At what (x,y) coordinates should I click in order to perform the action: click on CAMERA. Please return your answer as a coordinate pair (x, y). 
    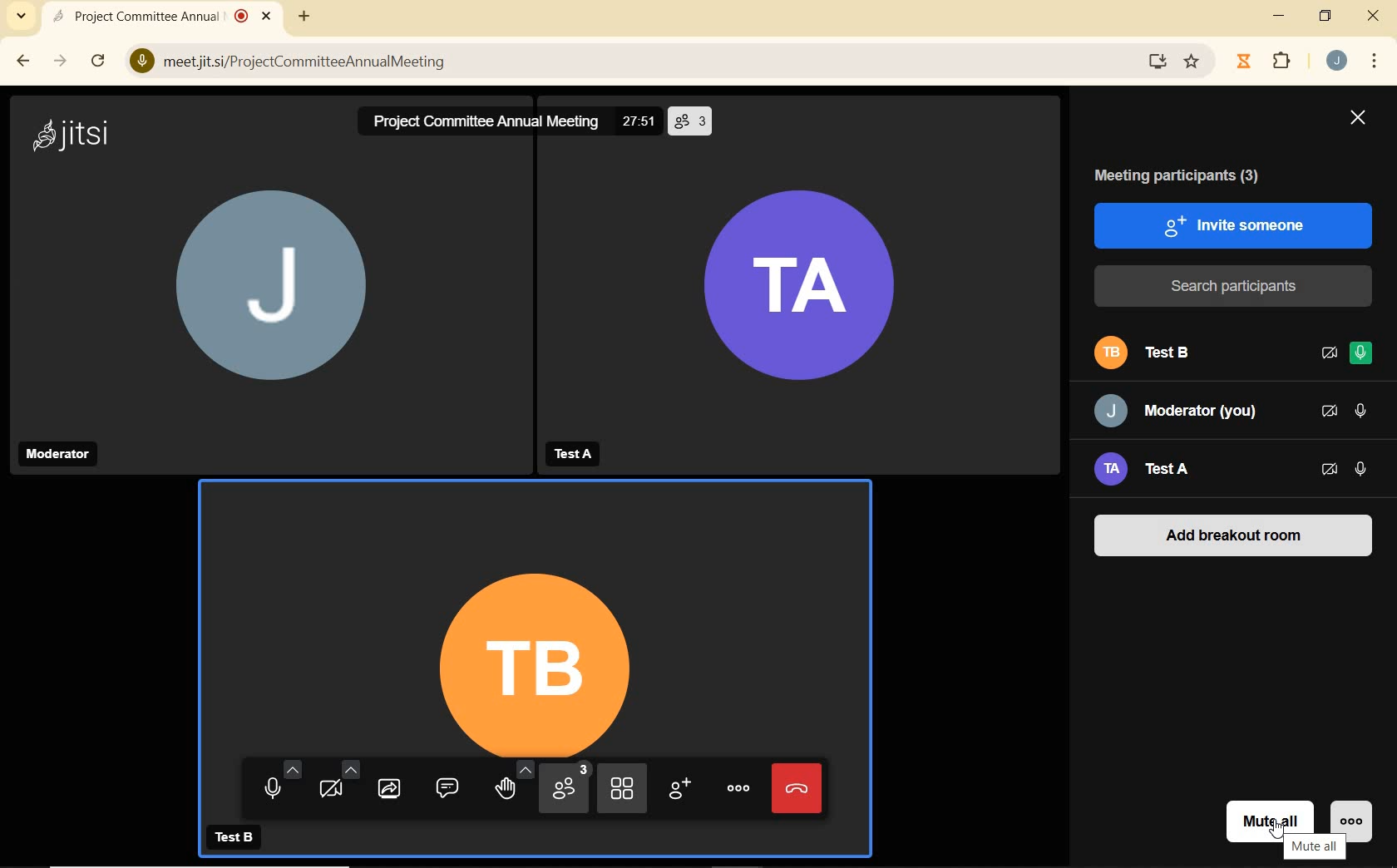
    Looking at the image, I should click on (1328, 353).